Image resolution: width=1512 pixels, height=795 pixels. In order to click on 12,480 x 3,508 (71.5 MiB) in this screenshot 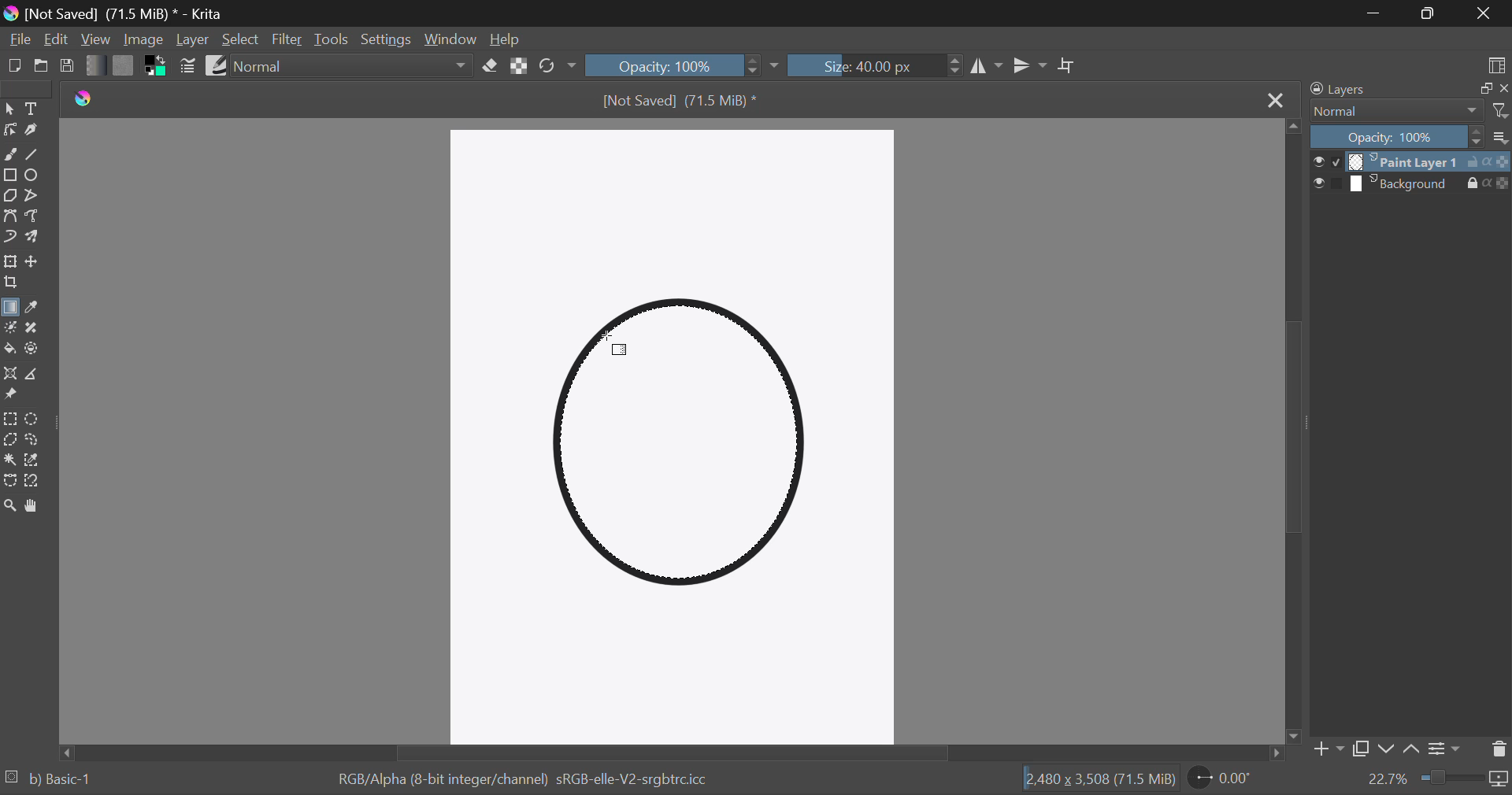, I will do `click(1099, 779)`.